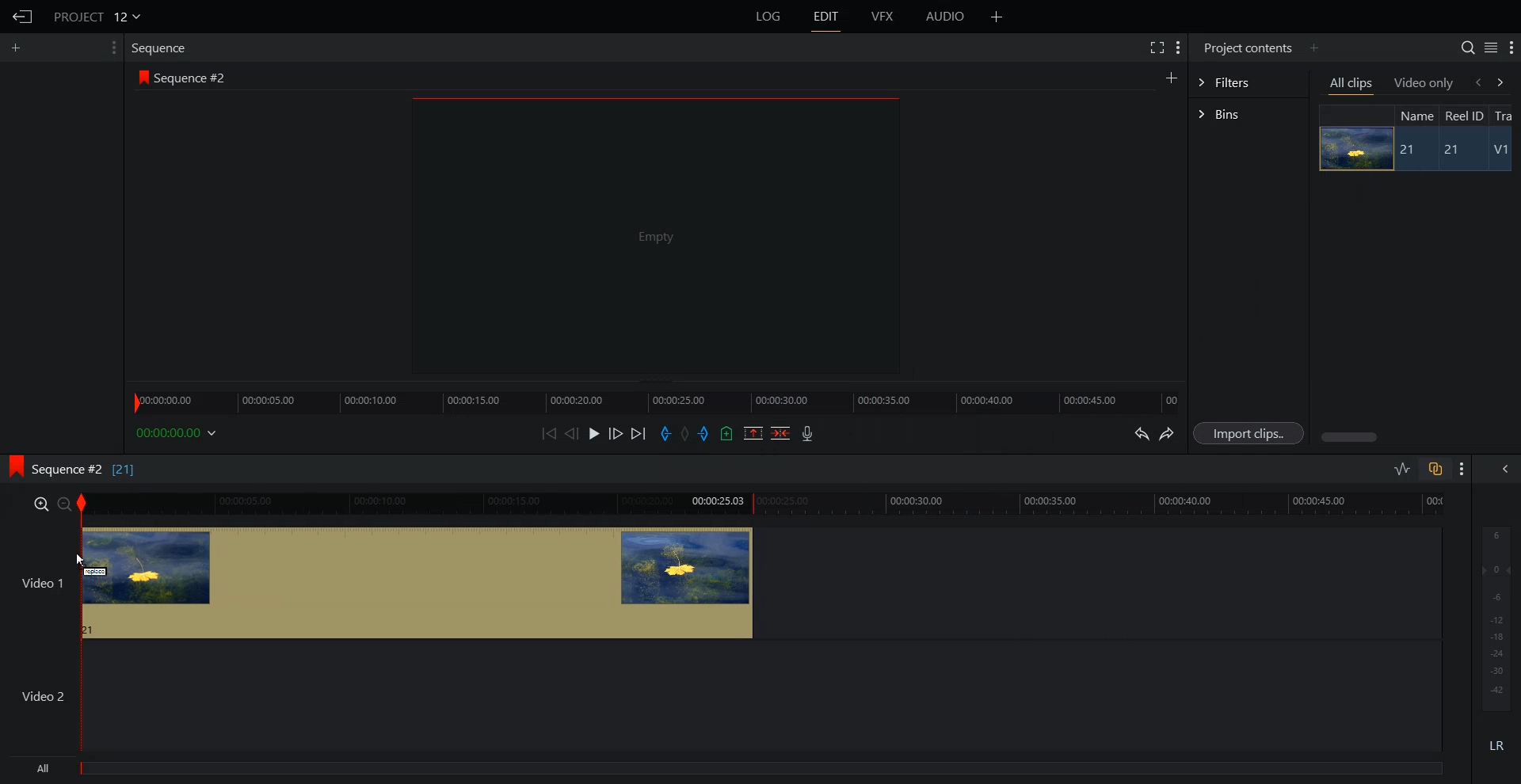 The image size is (1521, 784). I want to click on Play, so click(596, 433).